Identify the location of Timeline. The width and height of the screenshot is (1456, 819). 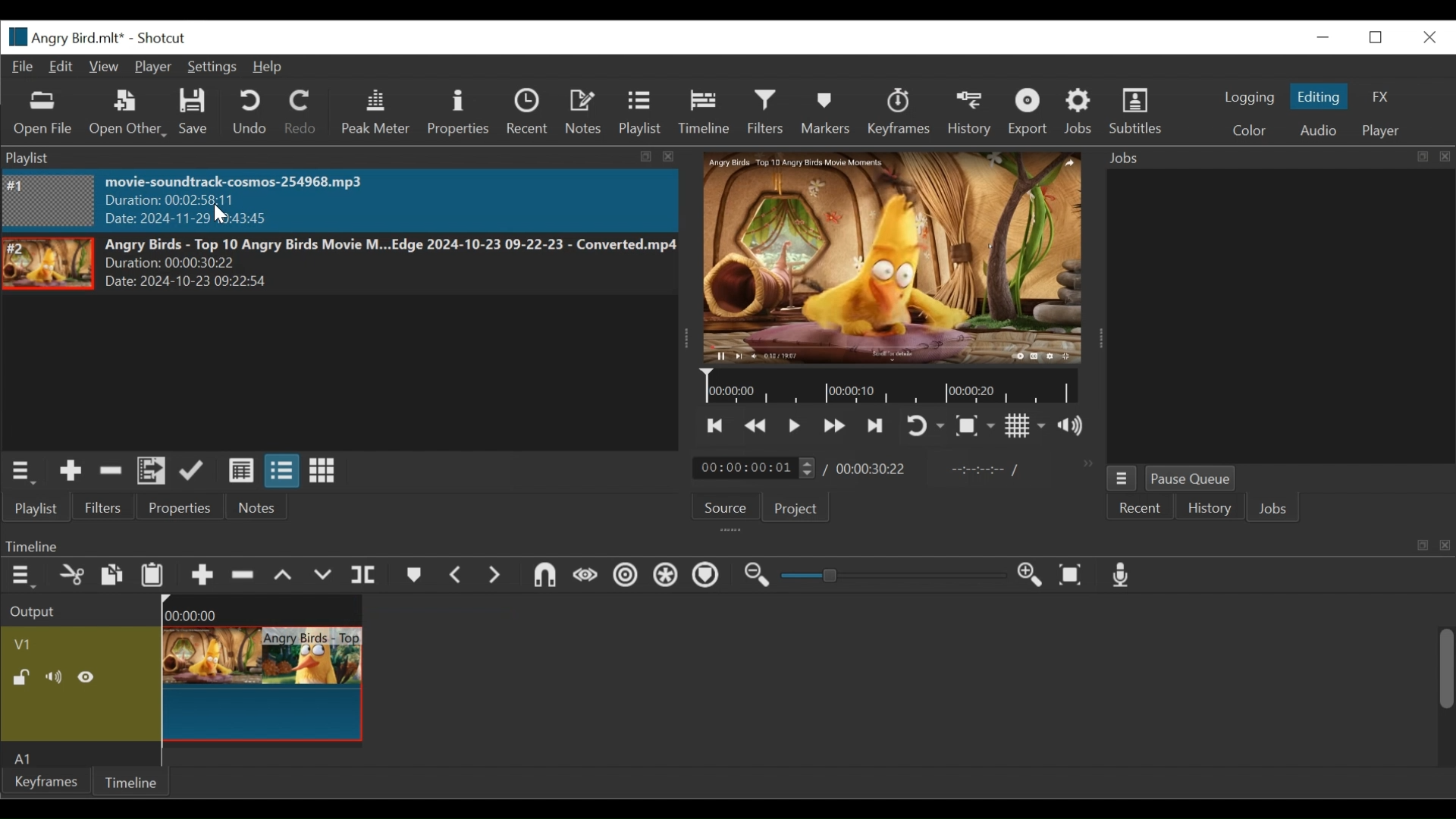
(891, 387).